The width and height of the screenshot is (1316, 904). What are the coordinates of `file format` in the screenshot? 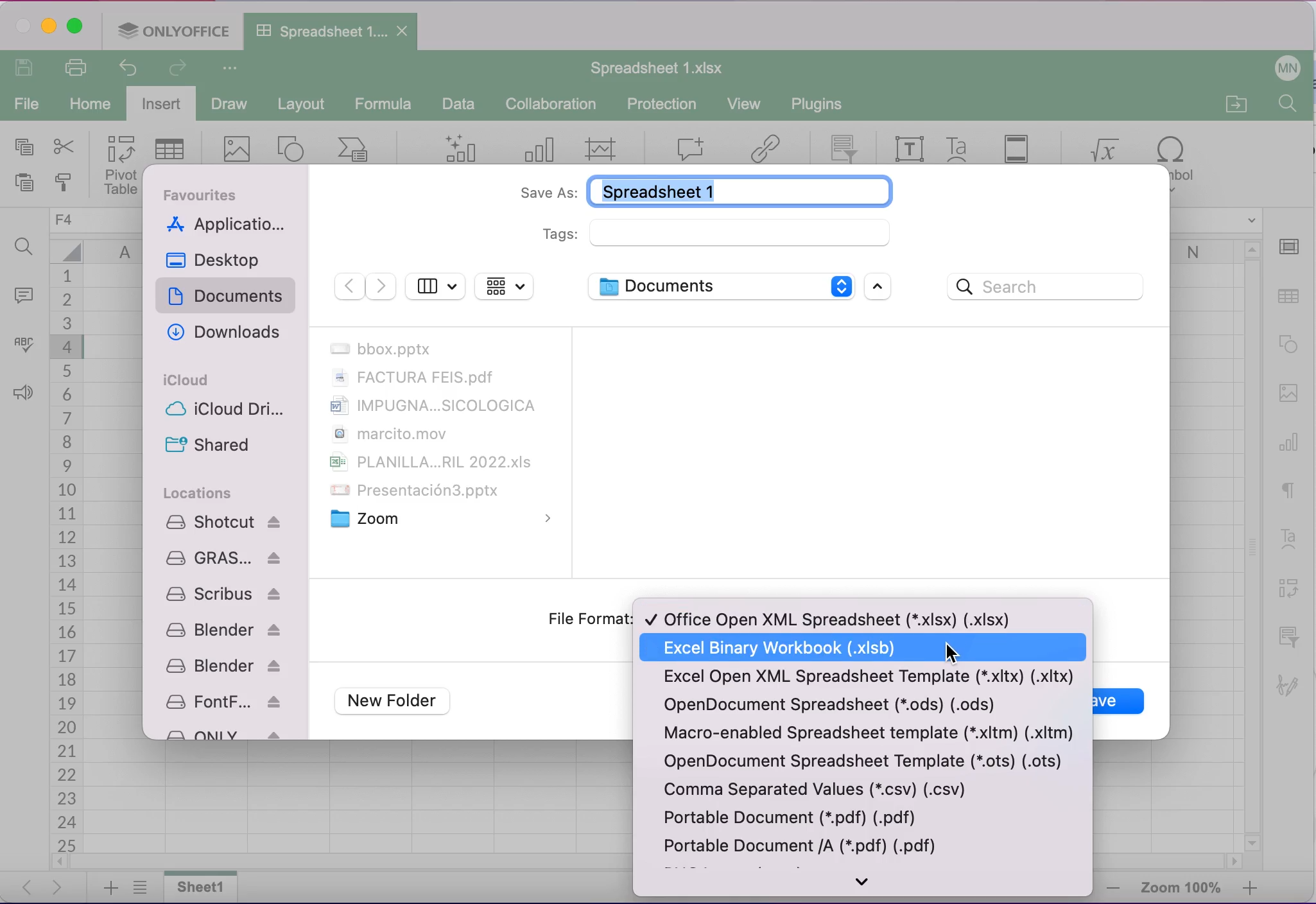 It's located at (589, 618).